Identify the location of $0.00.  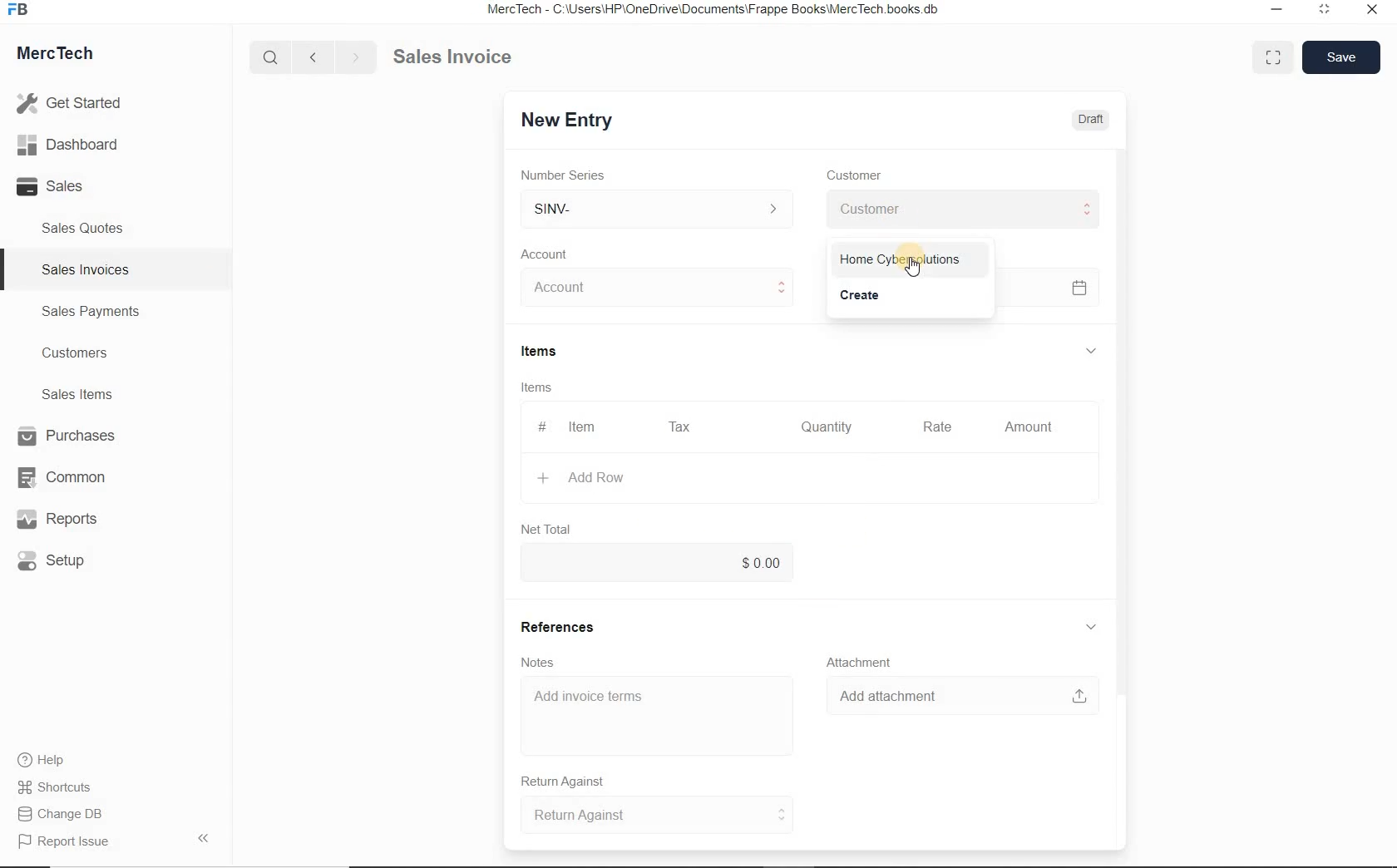
(658, 560).